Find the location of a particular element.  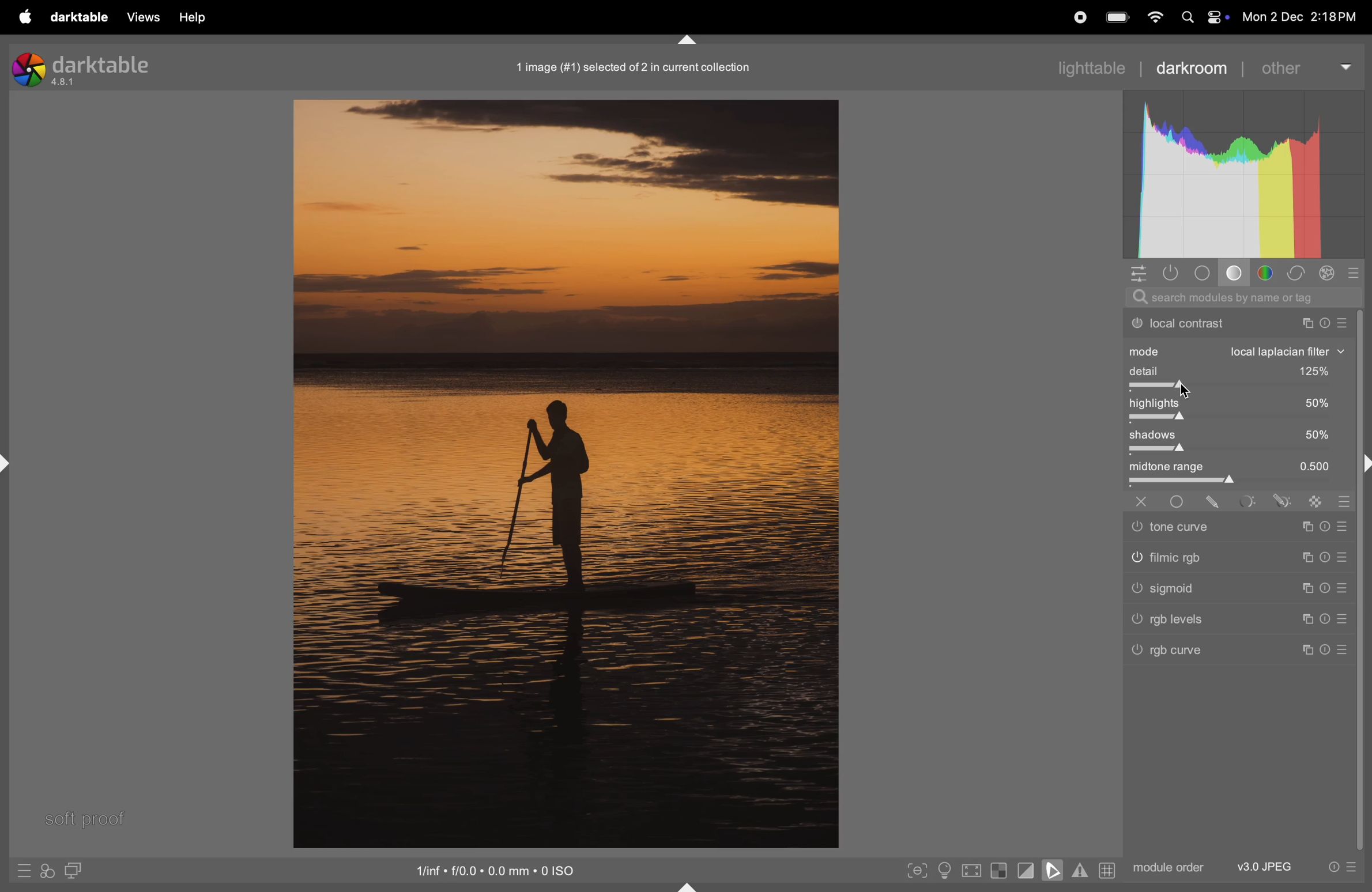

 is located at coordinates (1184, 559).